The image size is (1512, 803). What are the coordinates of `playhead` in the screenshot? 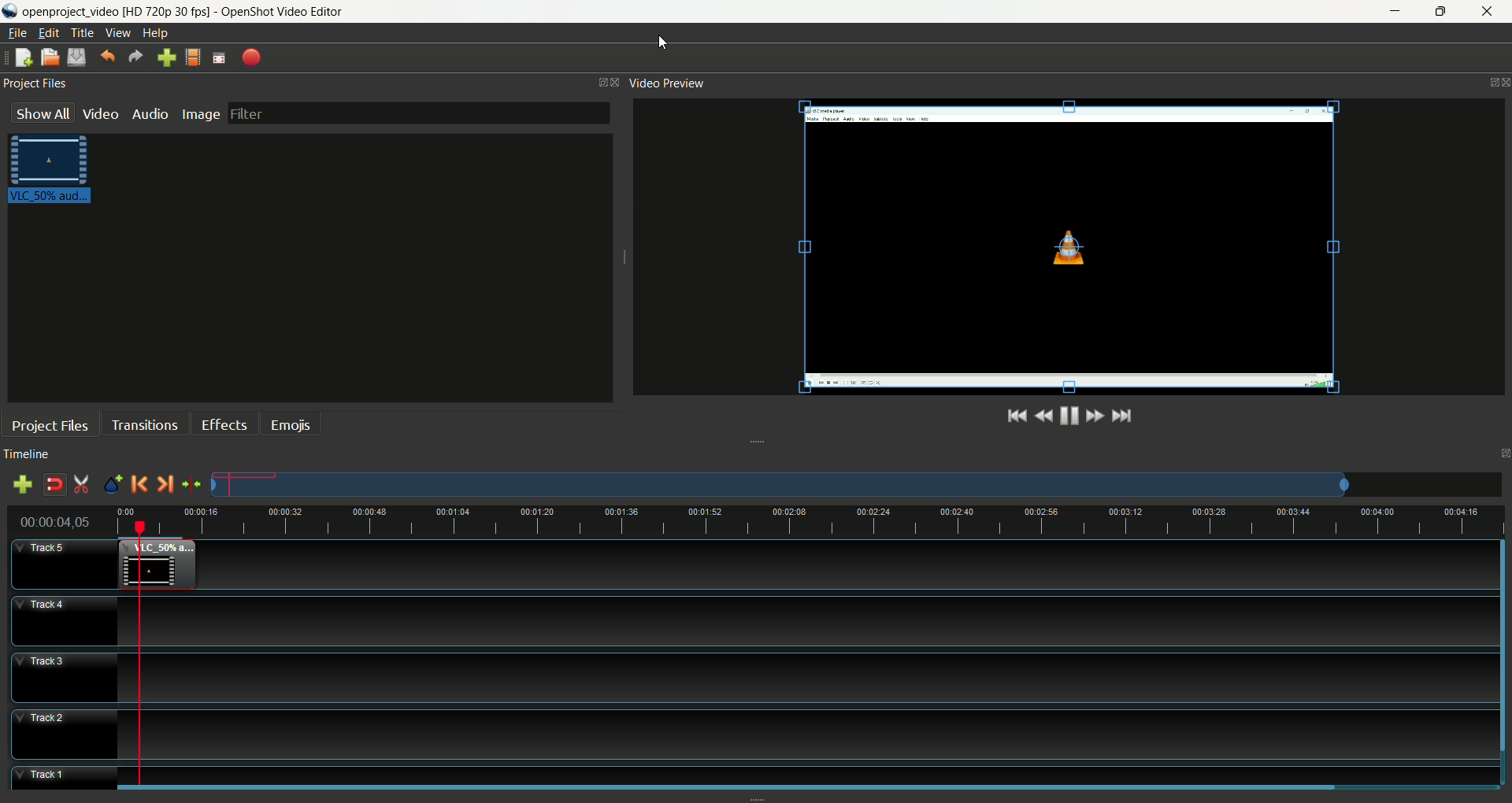 It's located at (138, 649).